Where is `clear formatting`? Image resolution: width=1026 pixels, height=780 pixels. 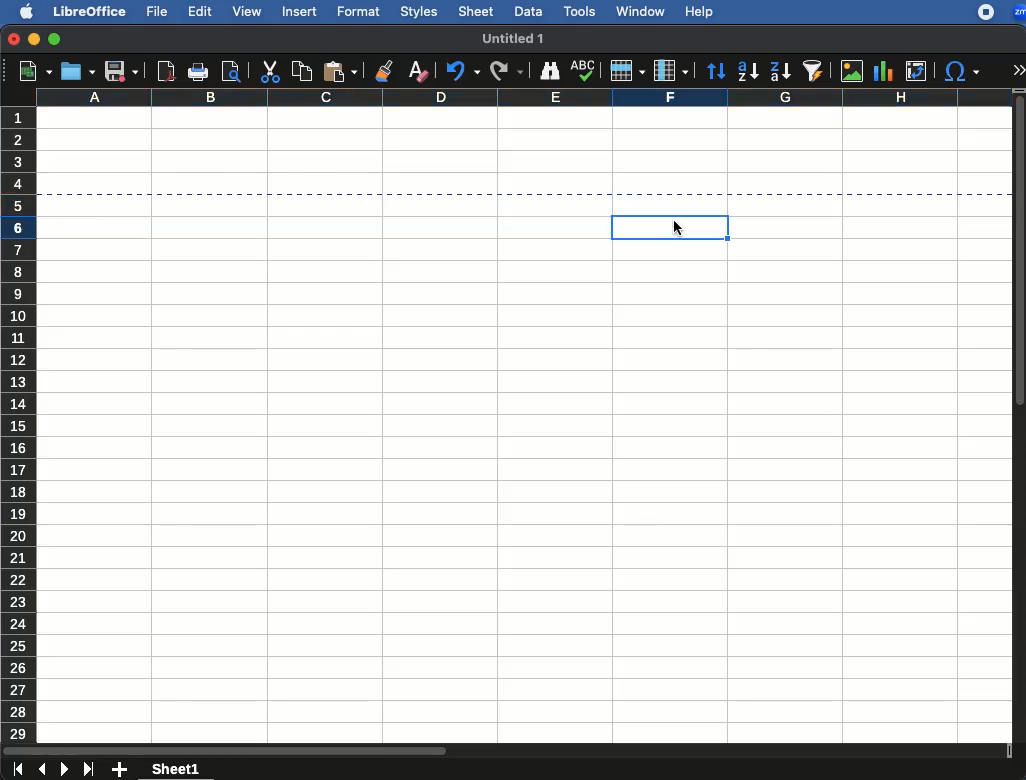
clear formatting is located at coordinates (416, 70).